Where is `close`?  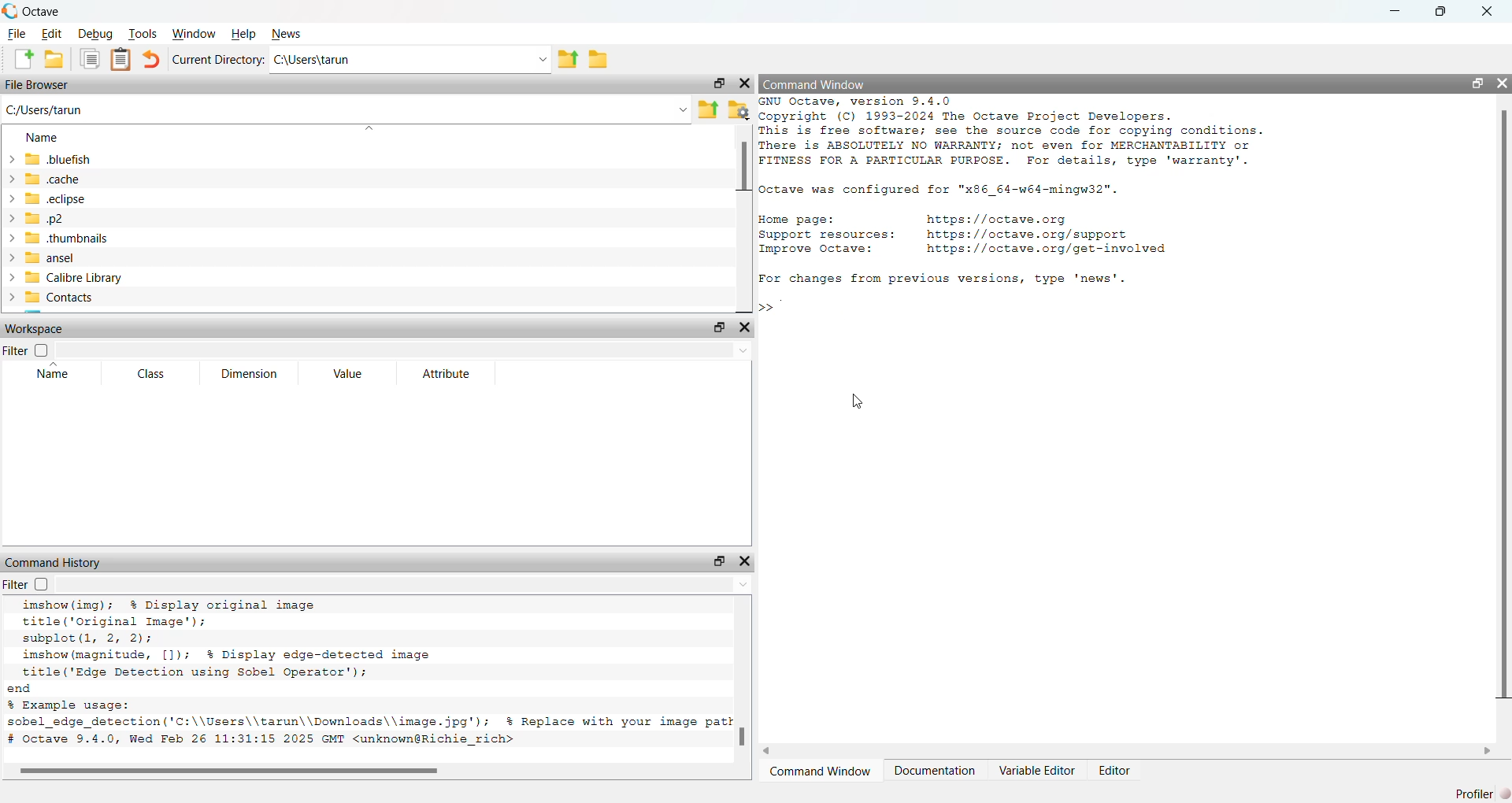 close is located at coordinates (744, 87).